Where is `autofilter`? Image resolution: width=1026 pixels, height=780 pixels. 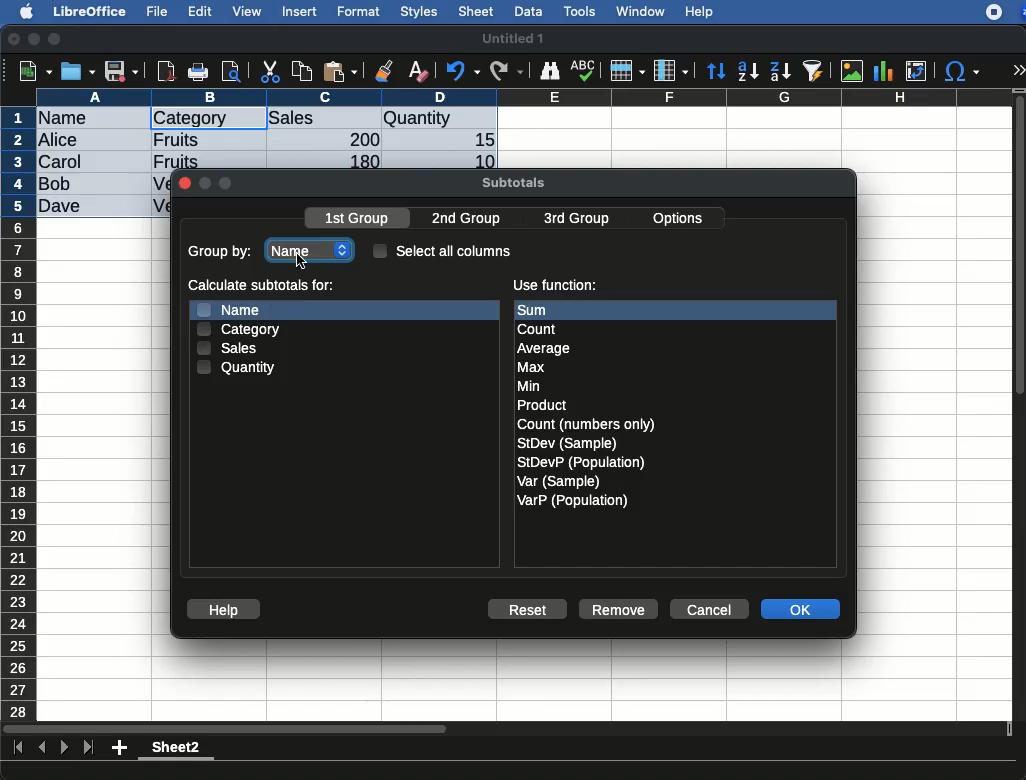 autofilter is located at coordinates (814, 70).